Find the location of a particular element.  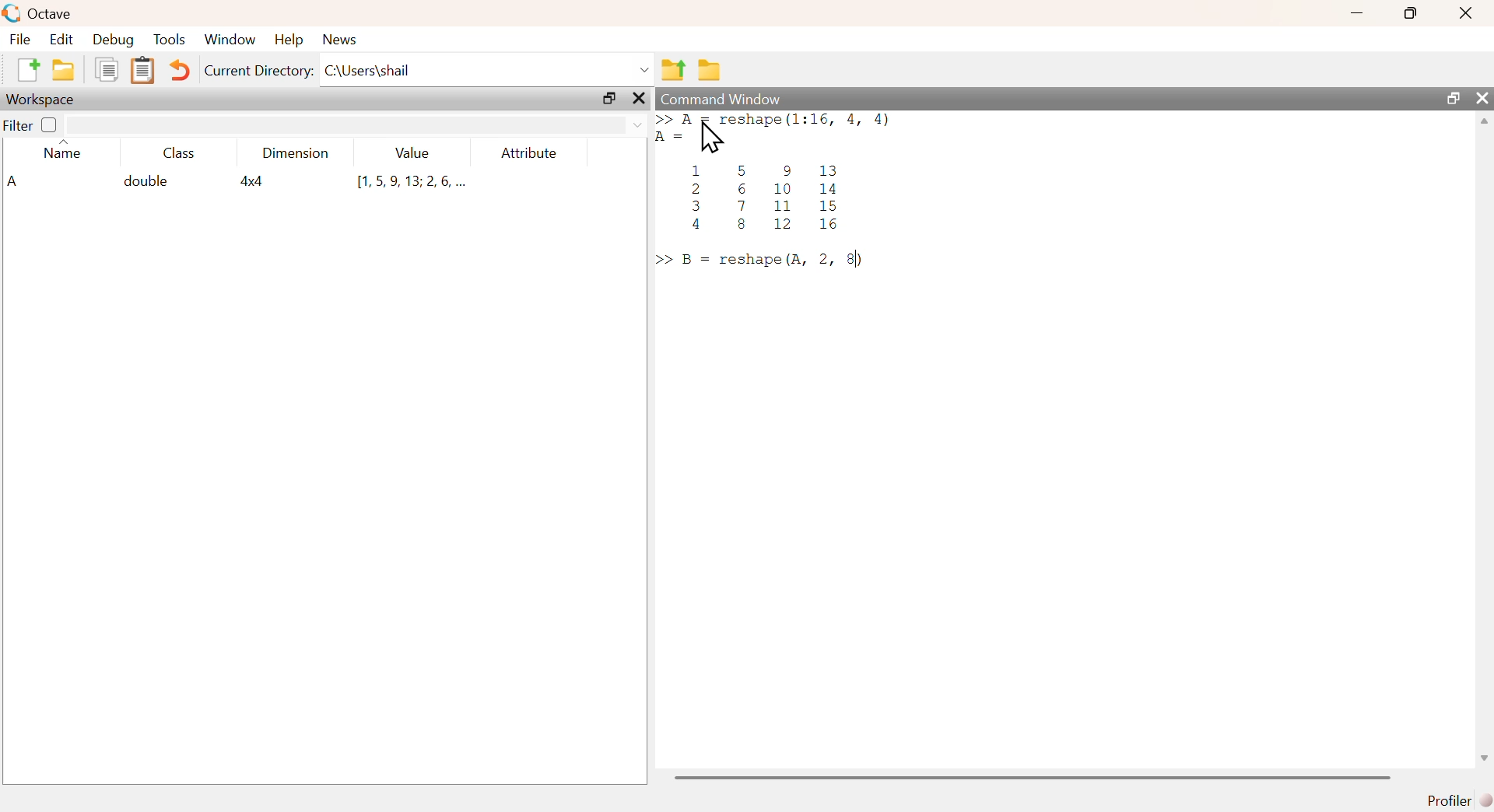

filter is located at coordinates (356, 125).